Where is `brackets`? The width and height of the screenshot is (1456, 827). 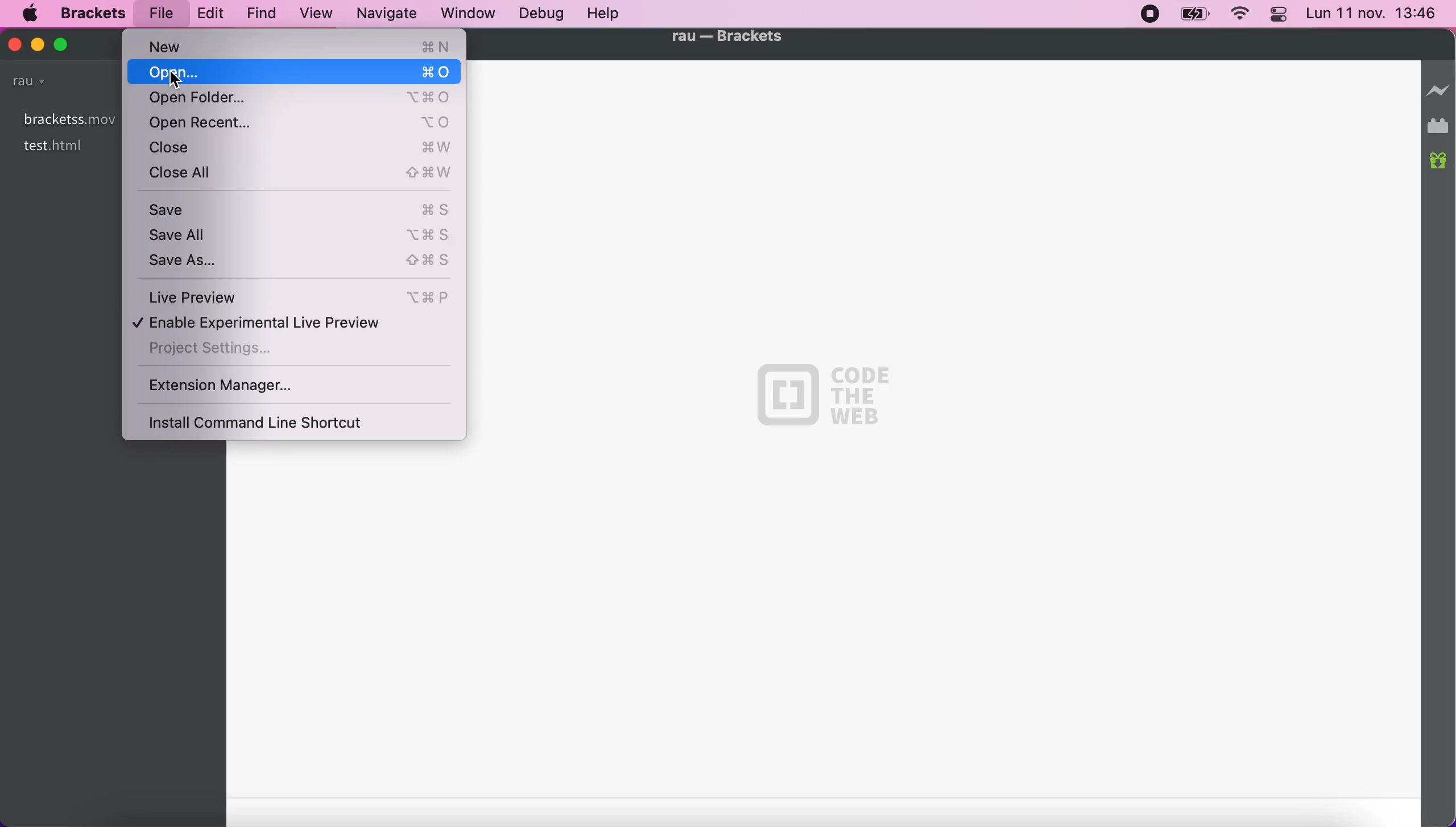 brackets is located at coordinates (93, 13).